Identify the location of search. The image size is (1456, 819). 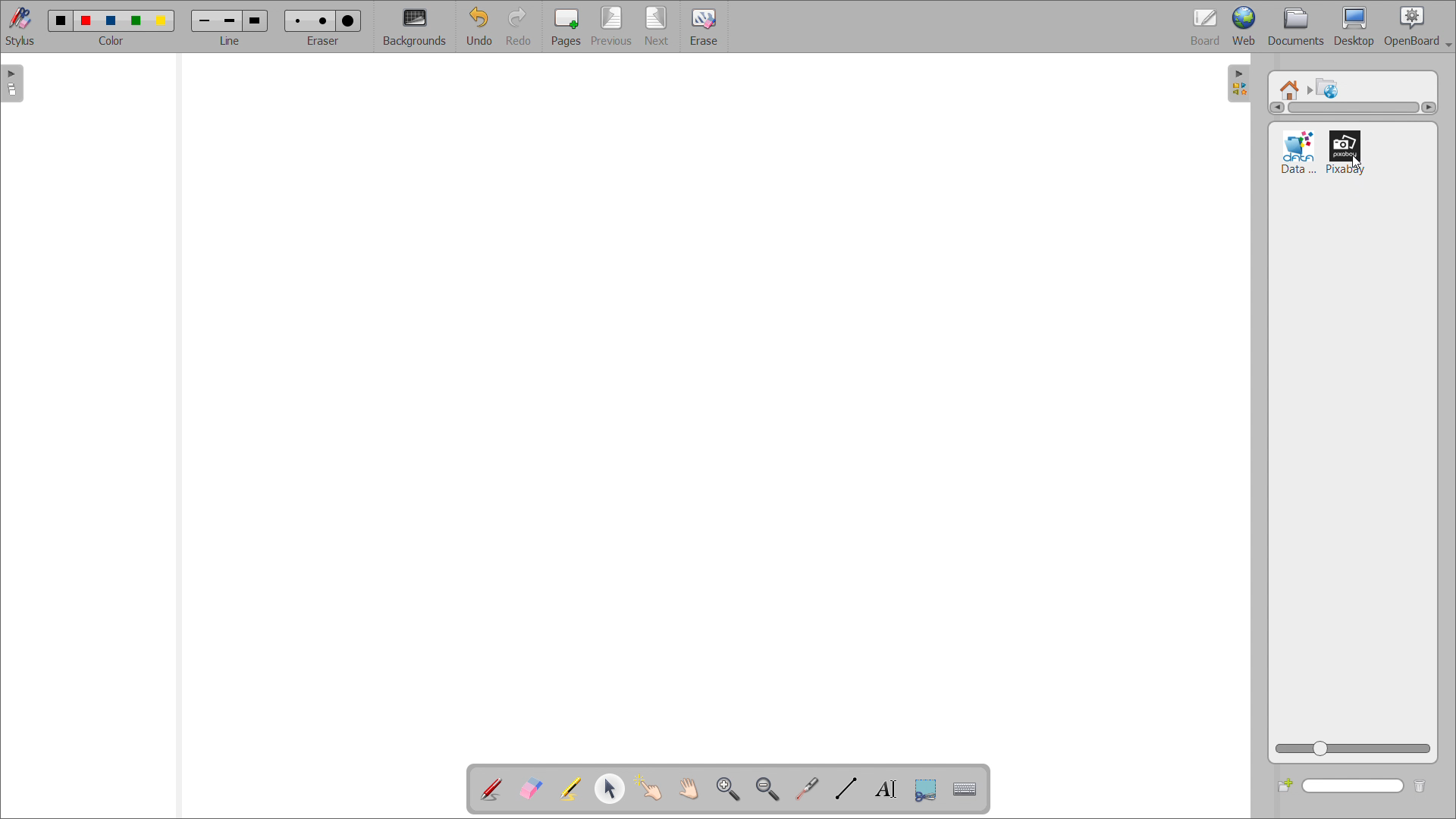
(1354, 786).